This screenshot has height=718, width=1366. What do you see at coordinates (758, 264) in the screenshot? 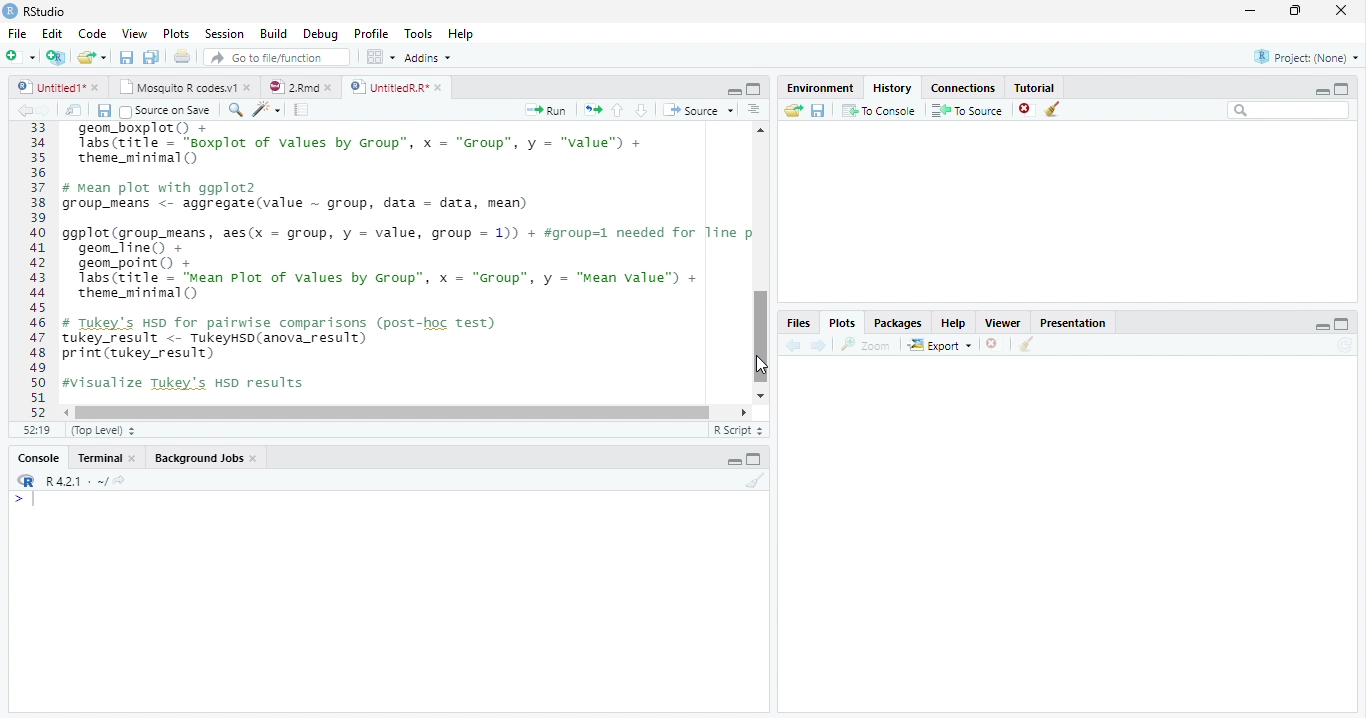
I see `Scrollbar` at bounding box center [758, 264].